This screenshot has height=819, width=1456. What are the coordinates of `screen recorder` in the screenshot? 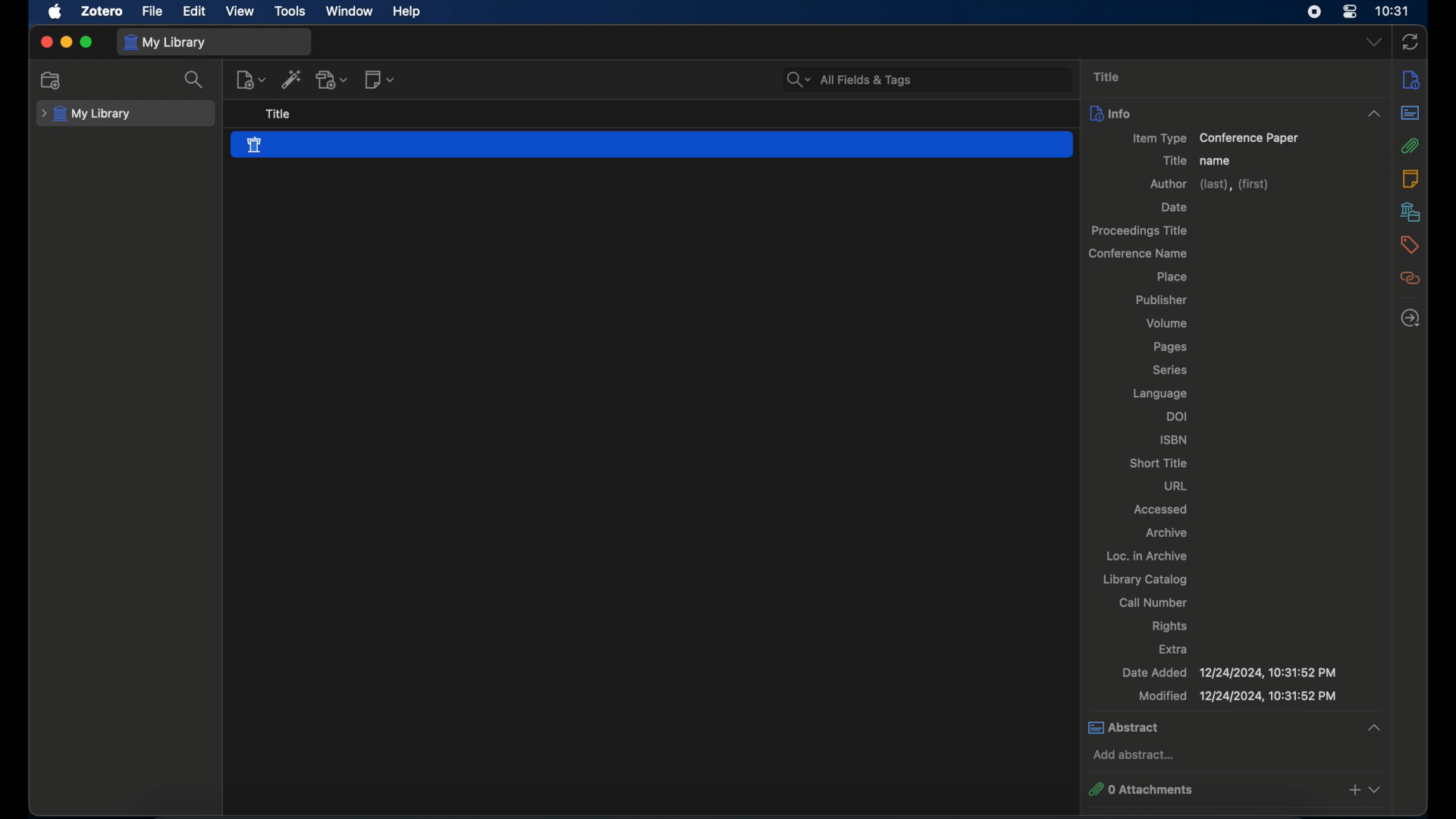 It's located at (1314, 12).